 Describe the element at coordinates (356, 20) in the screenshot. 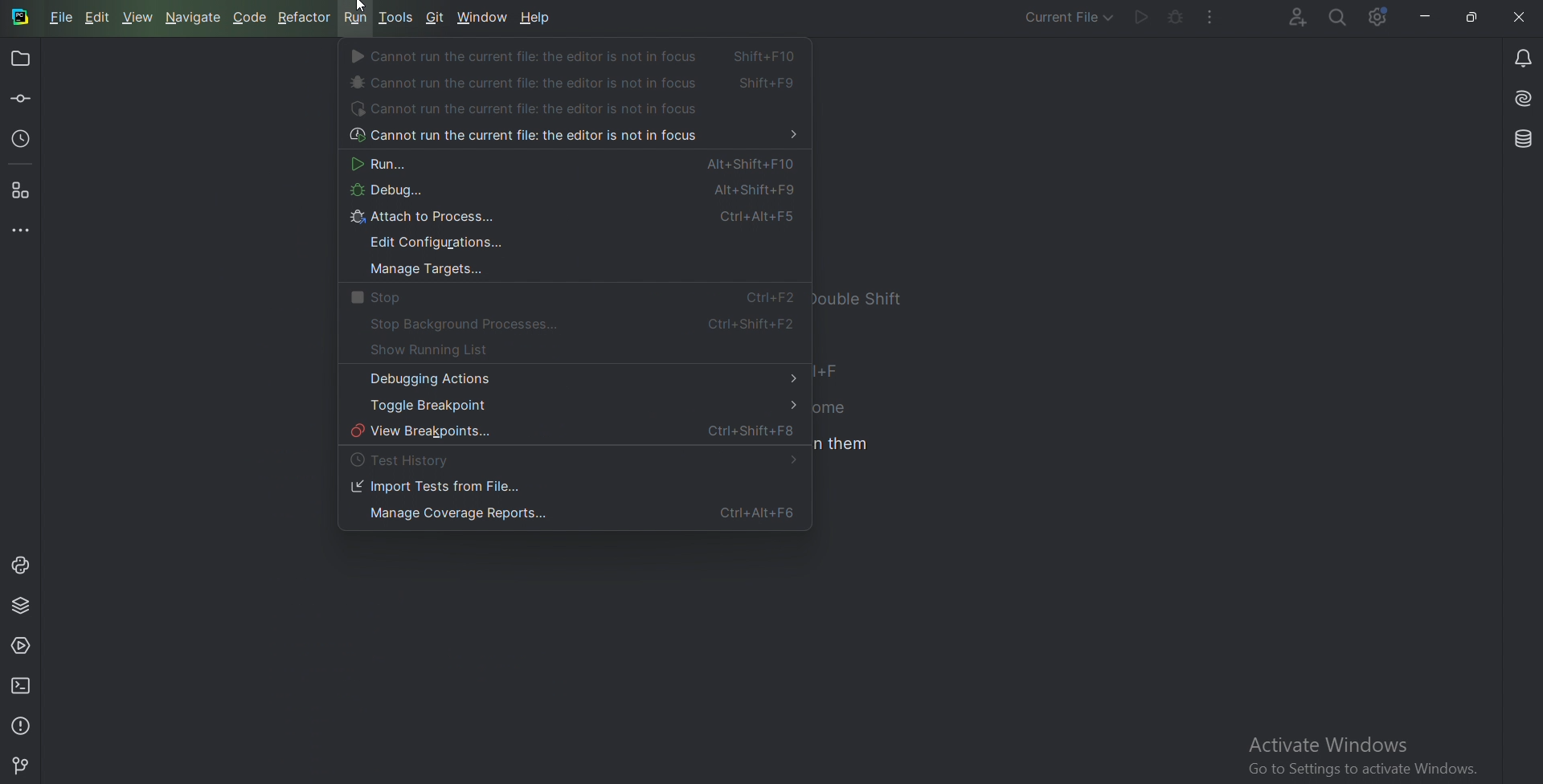

I see `Run` at that location.